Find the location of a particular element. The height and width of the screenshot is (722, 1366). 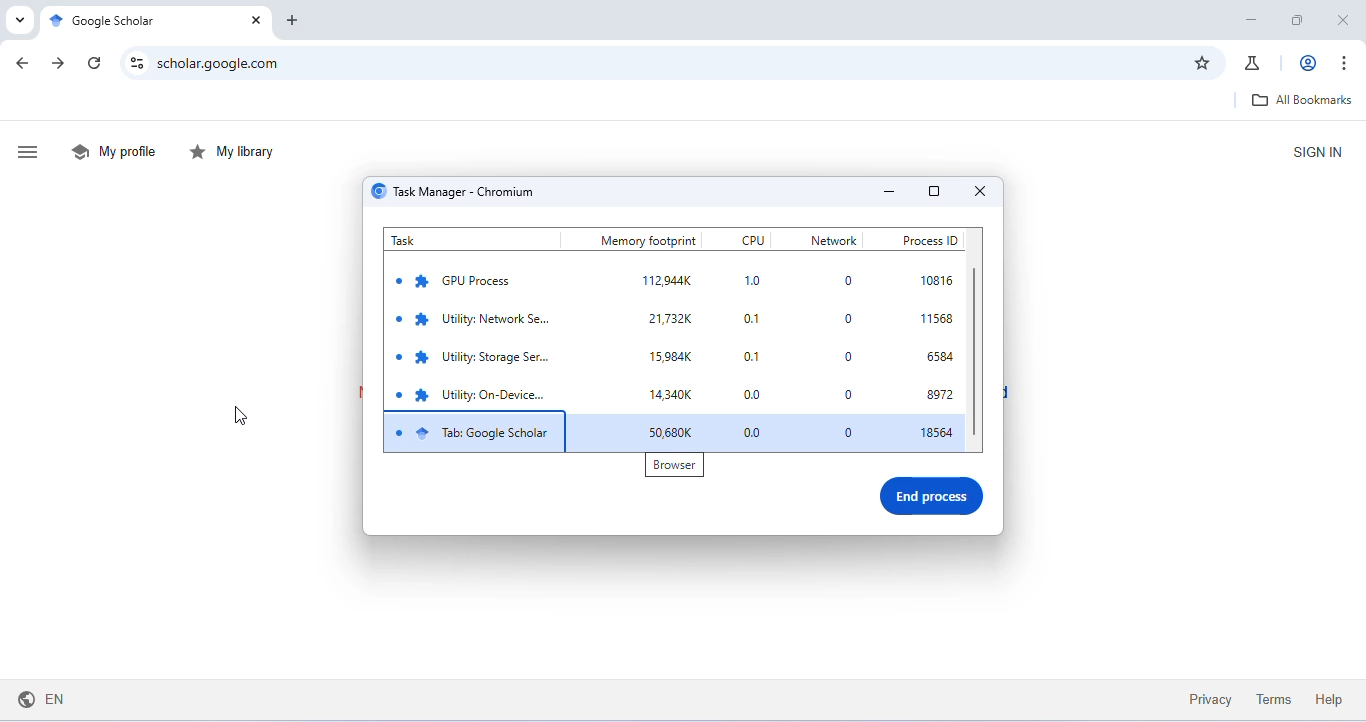

sign in is located at coordinates (1317, 151).